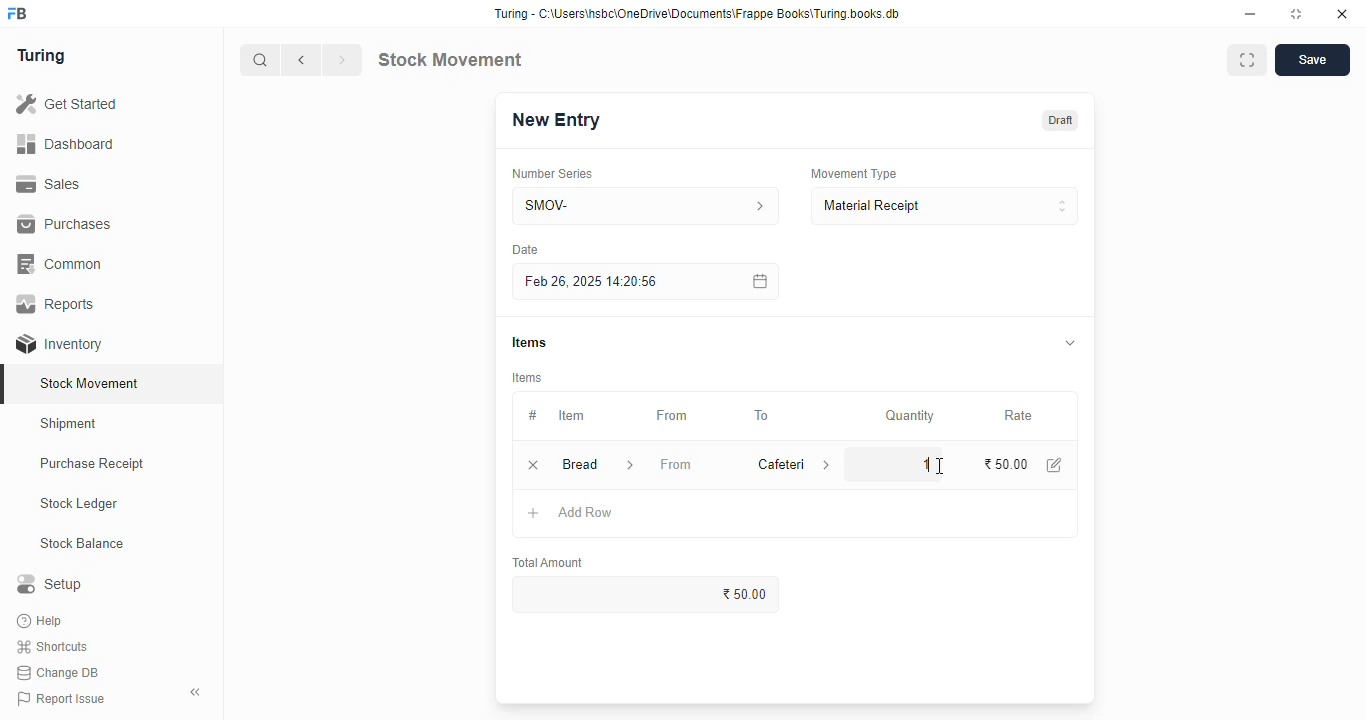  Describe the element at coordinates (630, 466) in the screenshot. I see `item information` at that location.